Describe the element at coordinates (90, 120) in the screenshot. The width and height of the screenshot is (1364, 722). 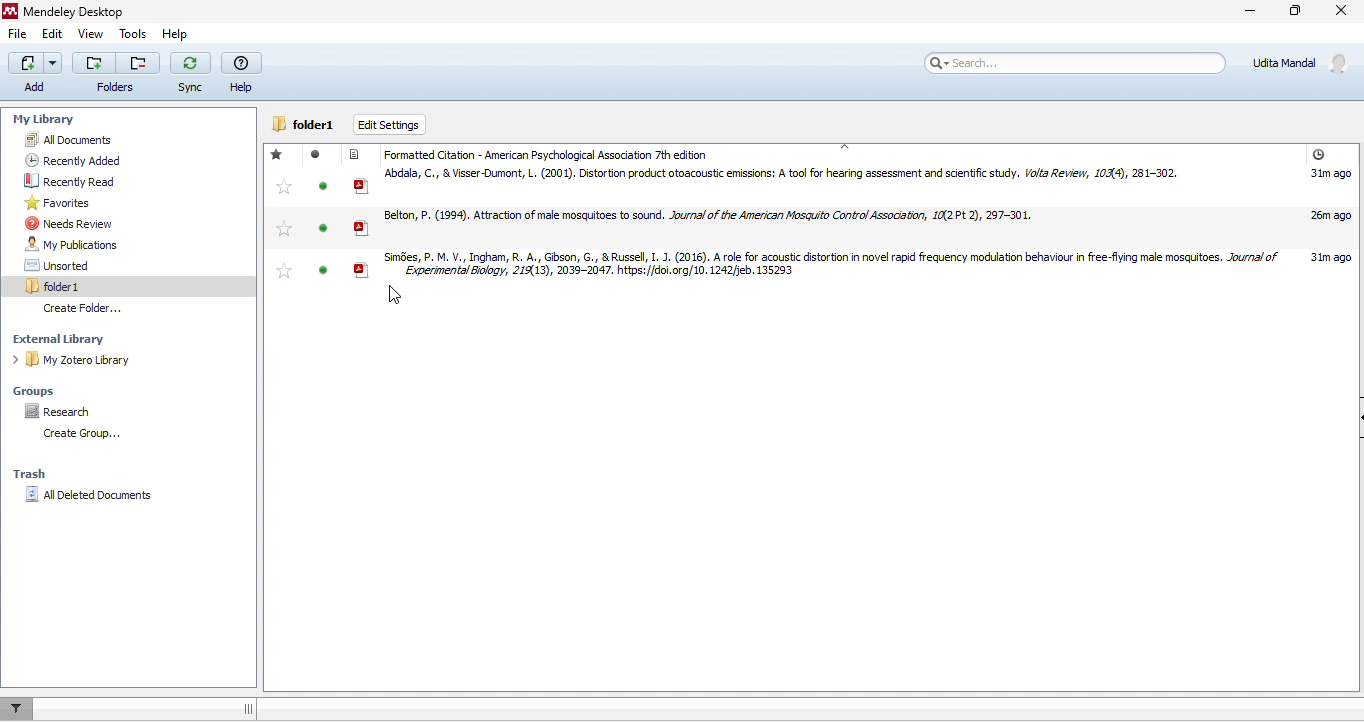
I see `my library` at that location.